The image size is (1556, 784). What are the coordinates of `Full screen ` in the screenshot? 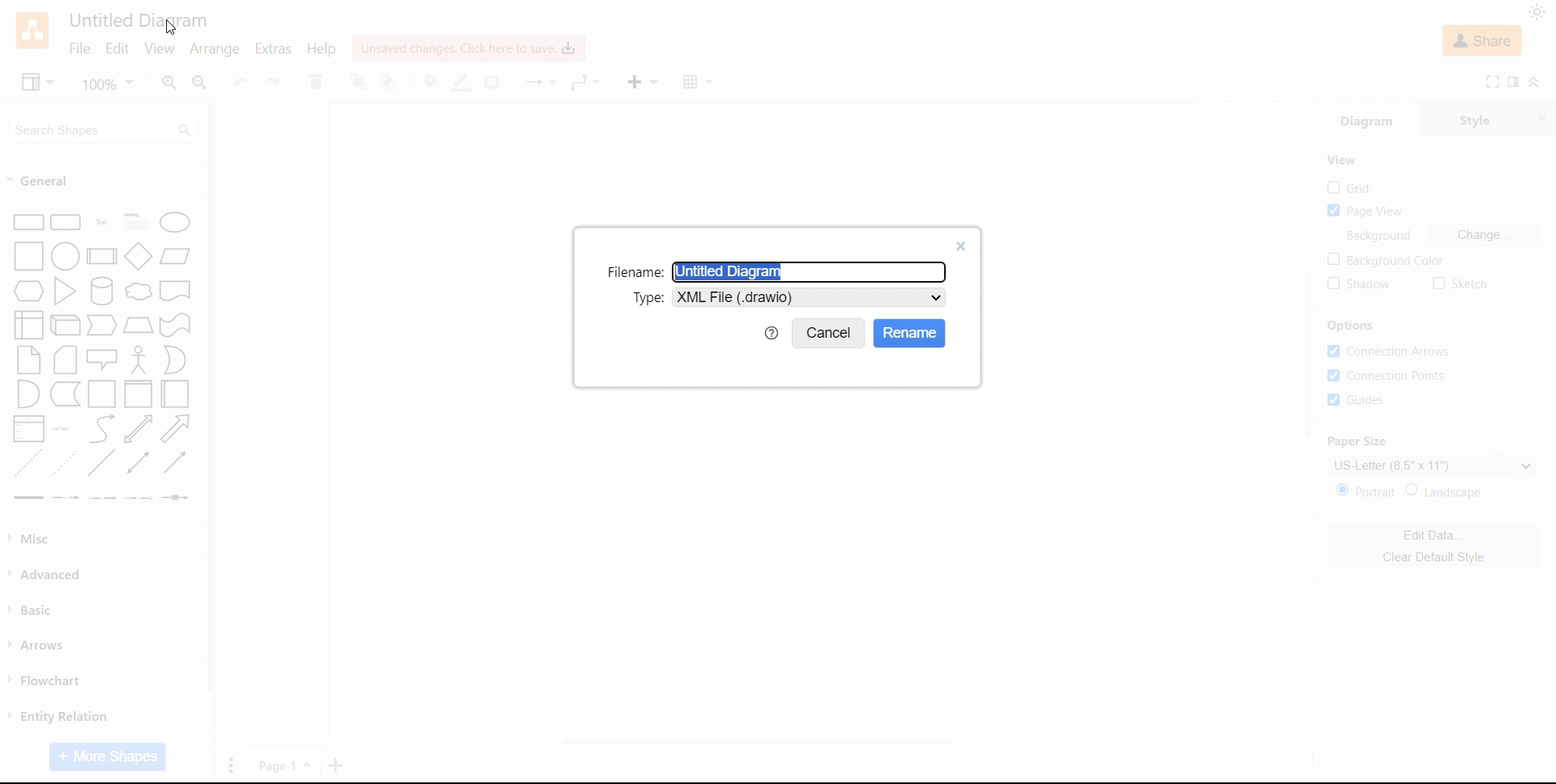 It's located at (1493, 82).